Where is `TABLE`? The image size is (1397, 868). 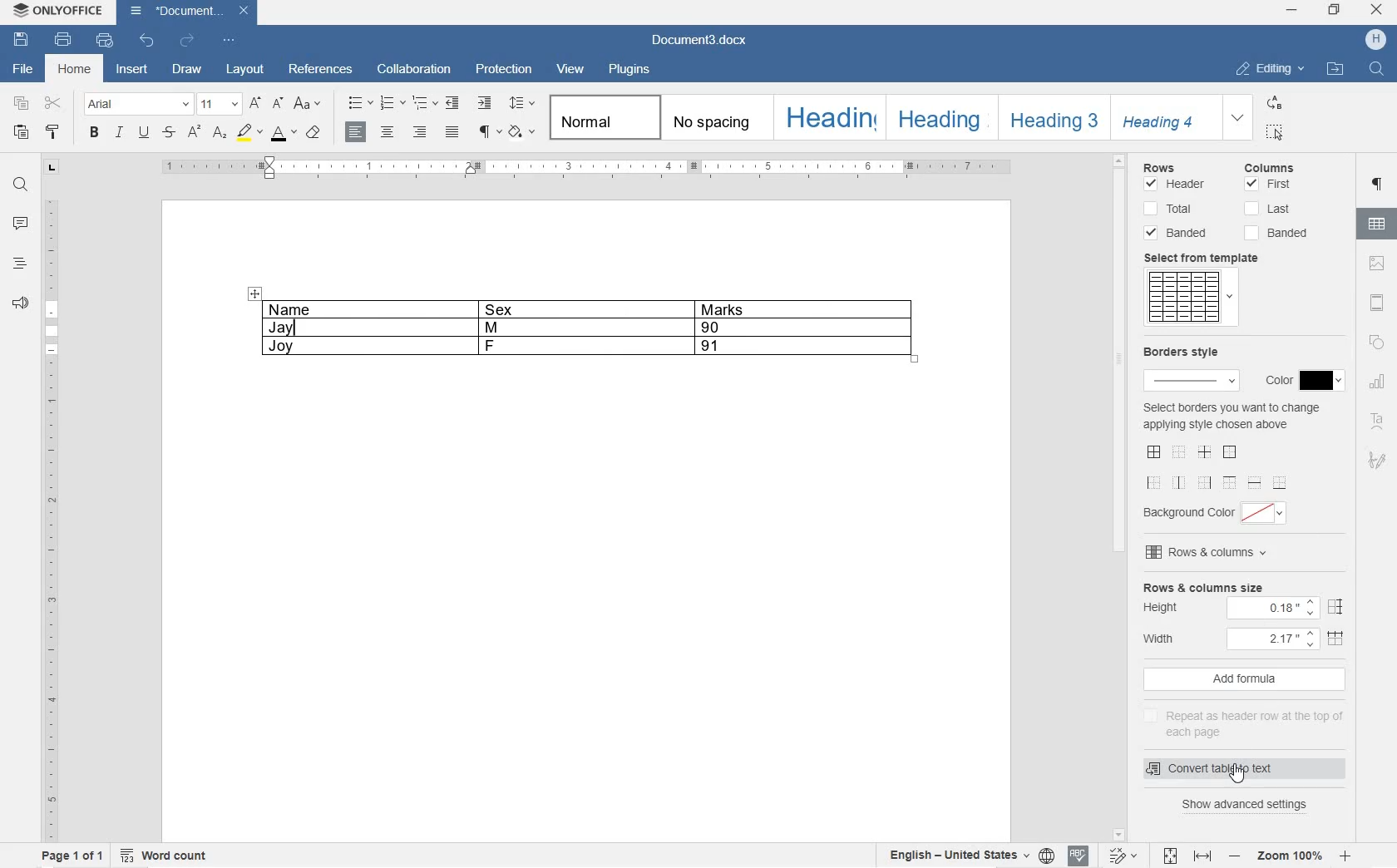 TABLE is located at coordinates (584, 328).